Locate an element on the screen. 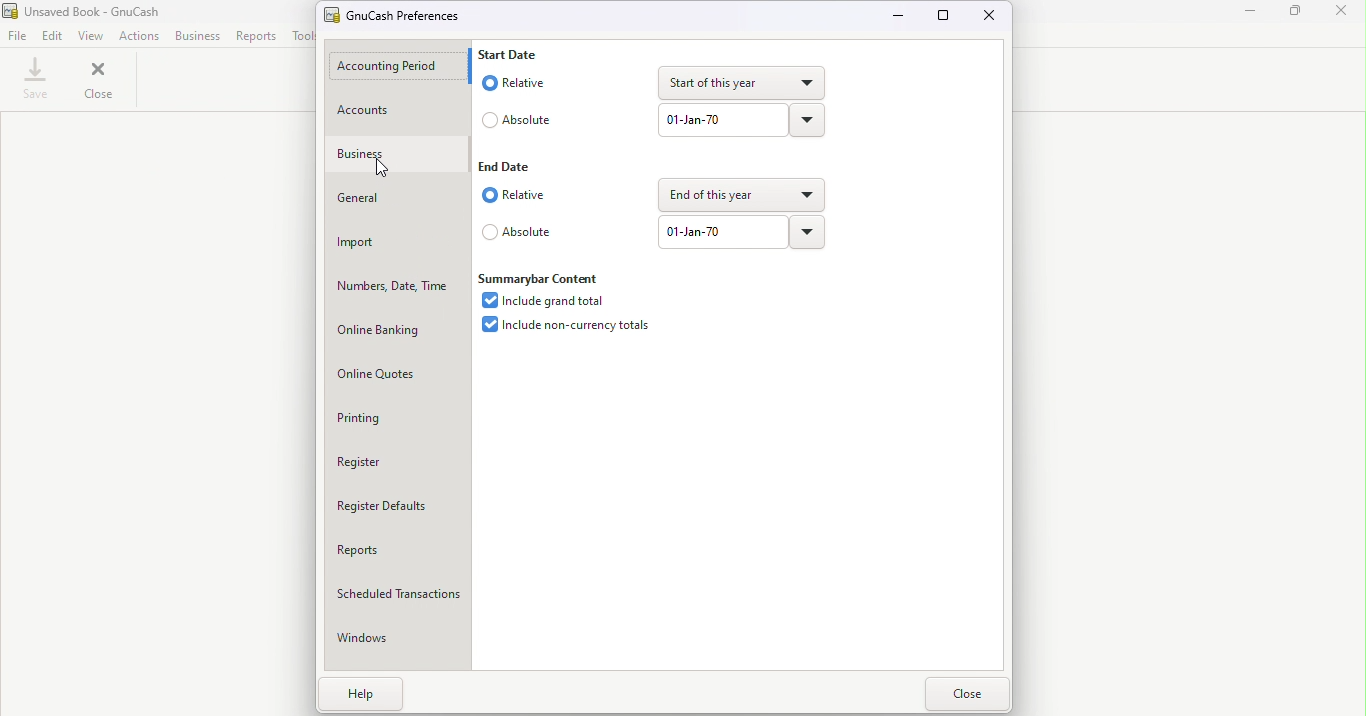 The height and width of the screenshot is (716, 1366). View is located at coordinates (90, 35).